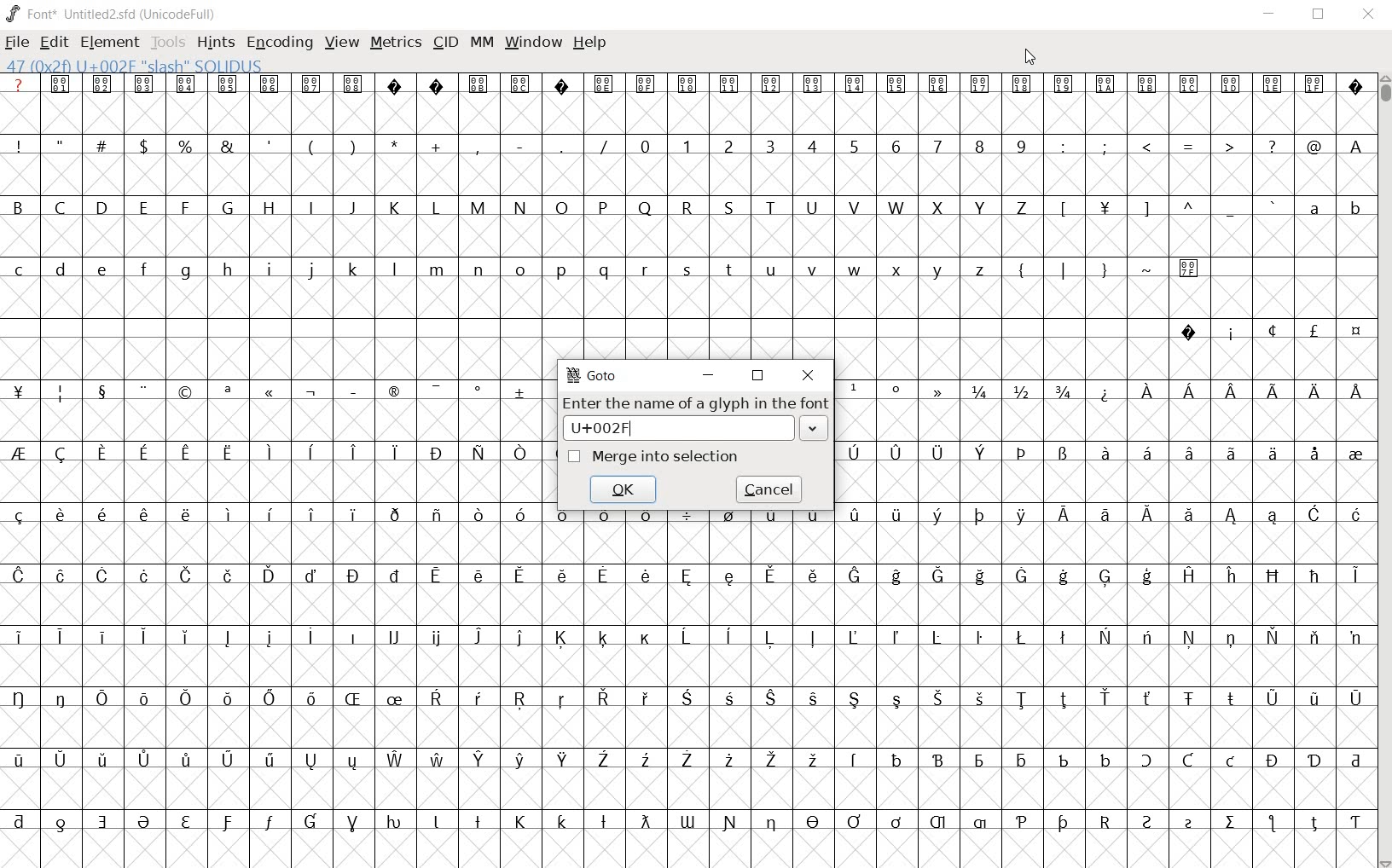  Describe the element at coordinates (759, 377) in the screenshot. I see `restore` at that location.